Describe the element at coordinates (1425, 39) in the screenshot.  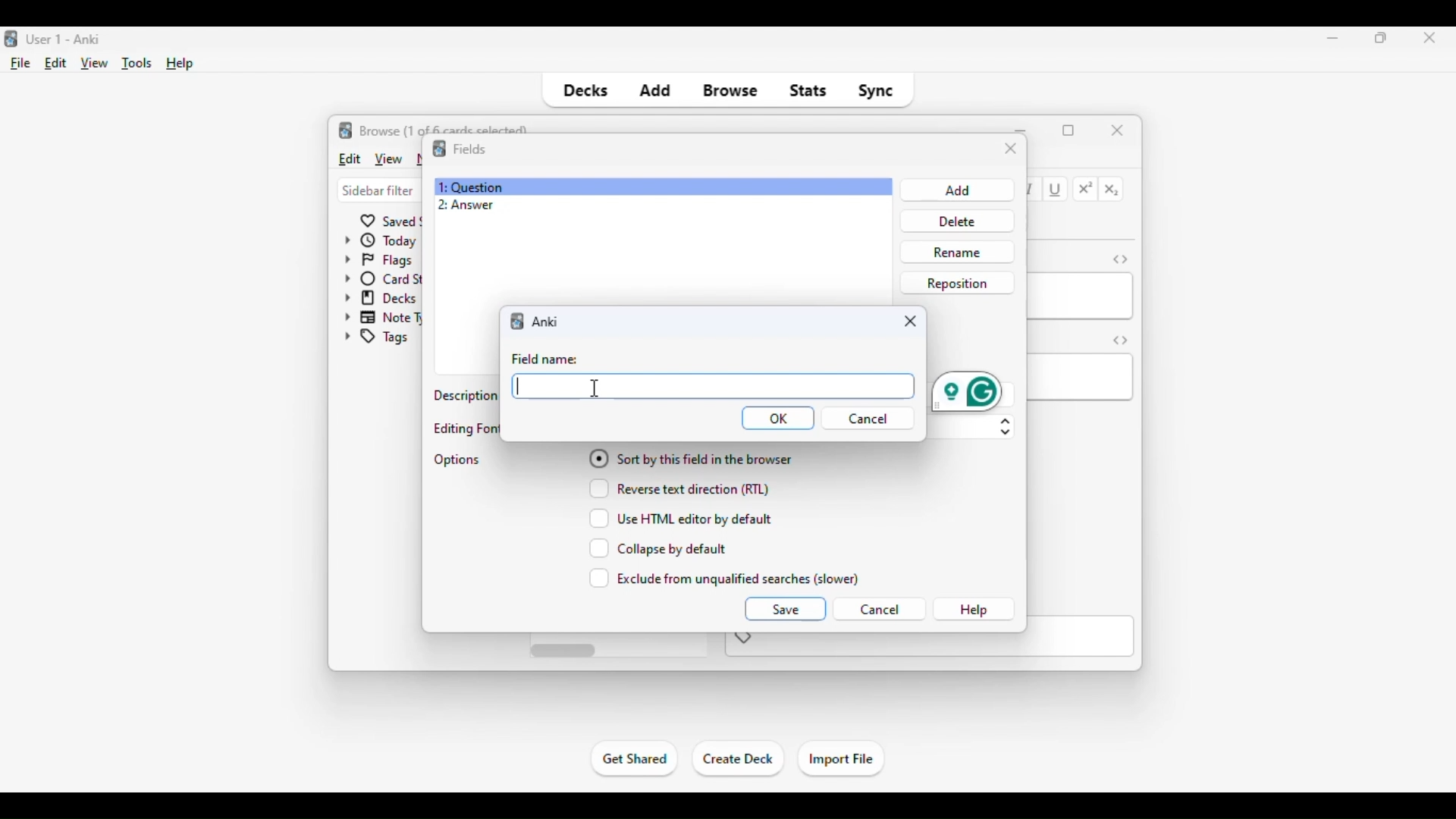
I see `close` at that location.